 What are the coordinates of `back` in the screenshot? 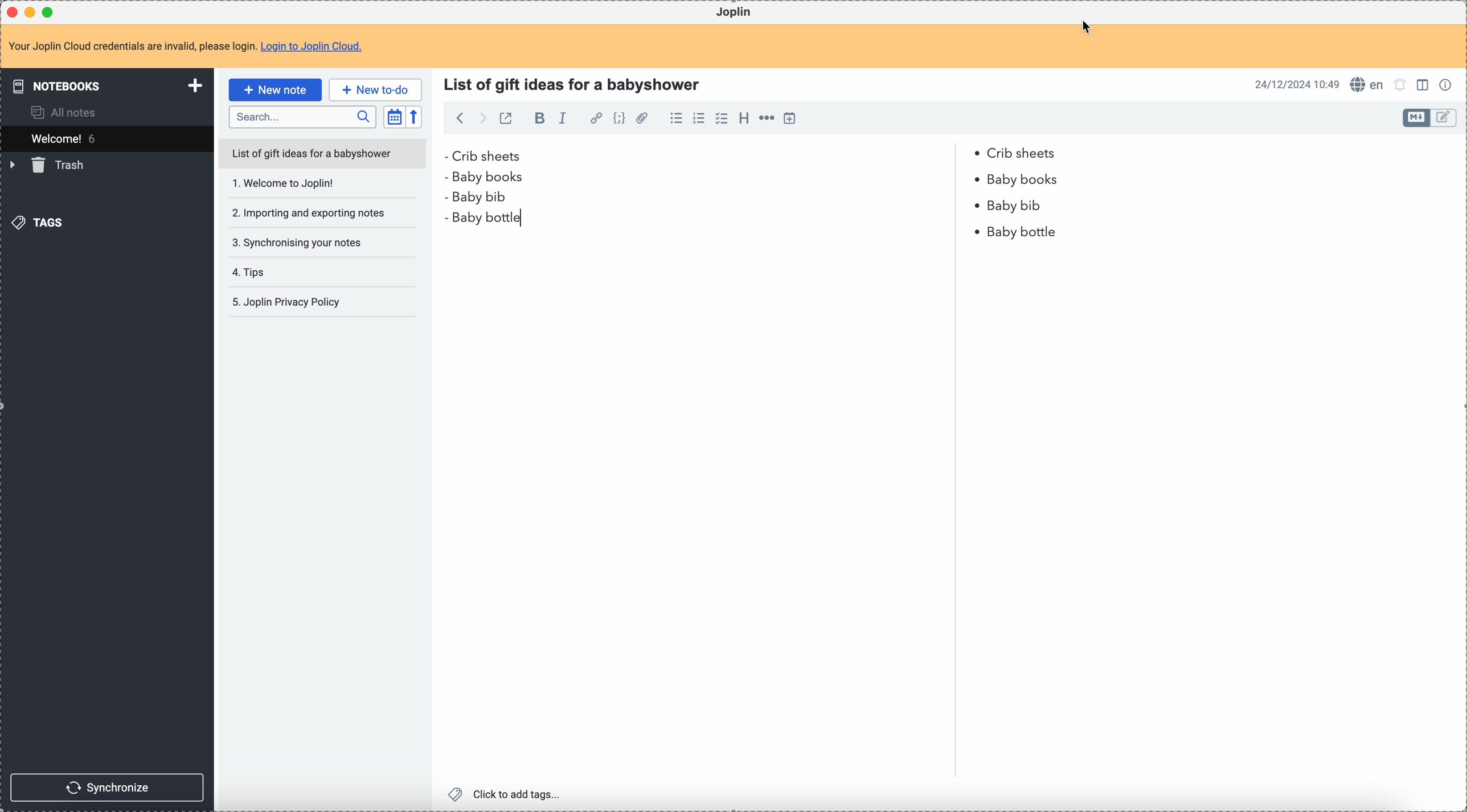 It's located at (461, 118).